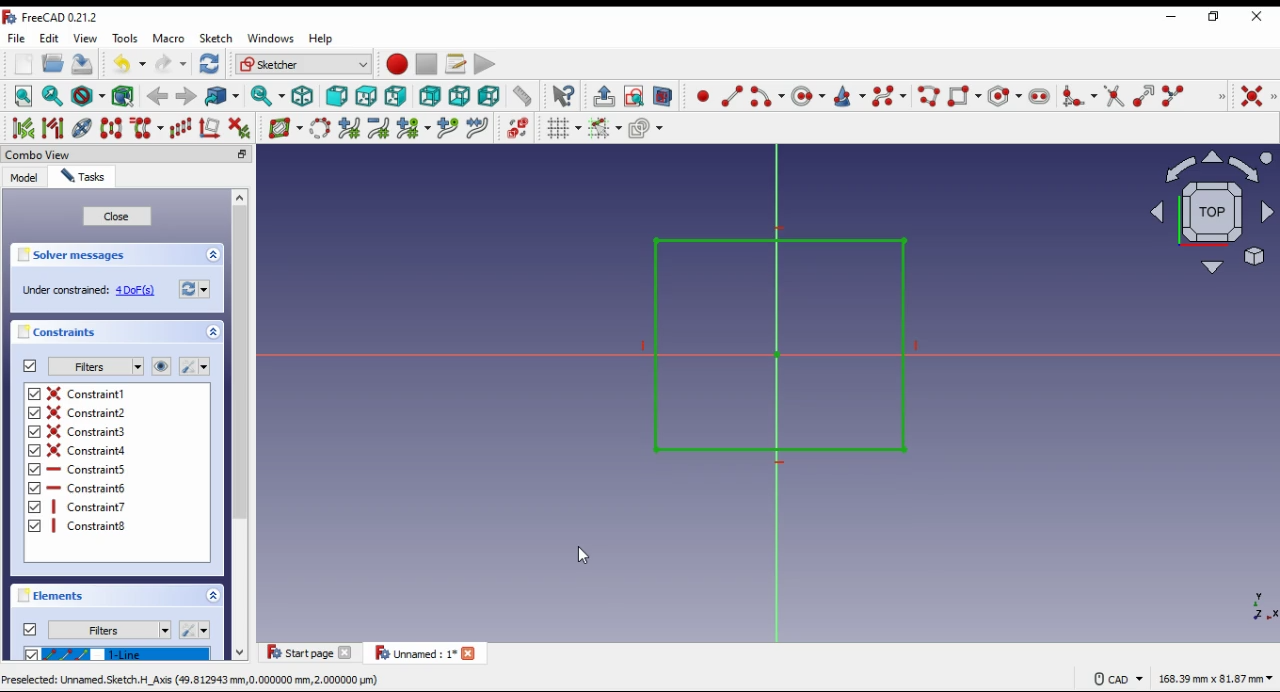 This screenshot has width=1280, height=692. What do you see at coordinates (367, 97) in the screenshot?
I see `top` at bounding box center [367, 97].